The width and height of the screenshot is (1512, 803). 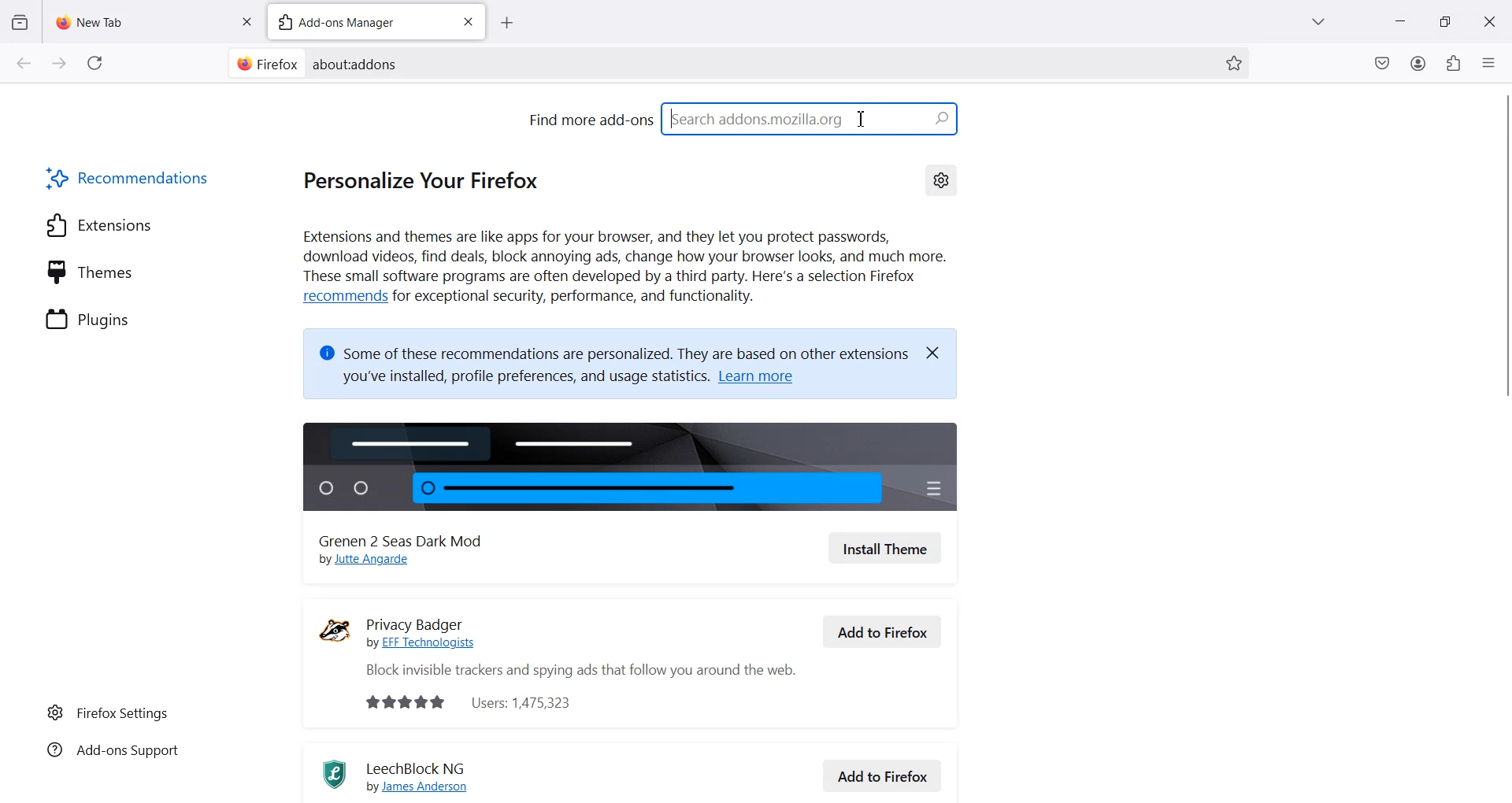 What do you see at coordinates (1445, 20) in the screenshot?
I see `Maximize` at bounding box center [1445, 20].